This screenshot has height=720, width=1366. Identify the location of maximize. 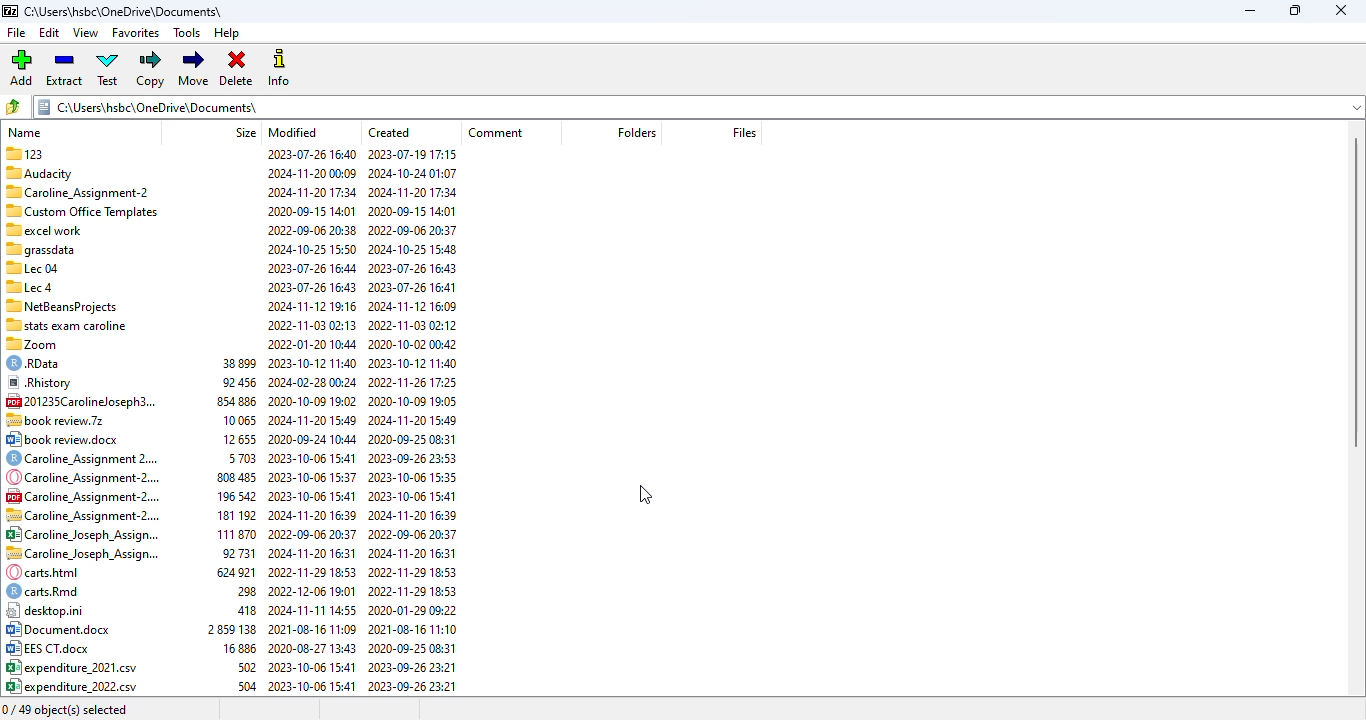
(1294, 11).